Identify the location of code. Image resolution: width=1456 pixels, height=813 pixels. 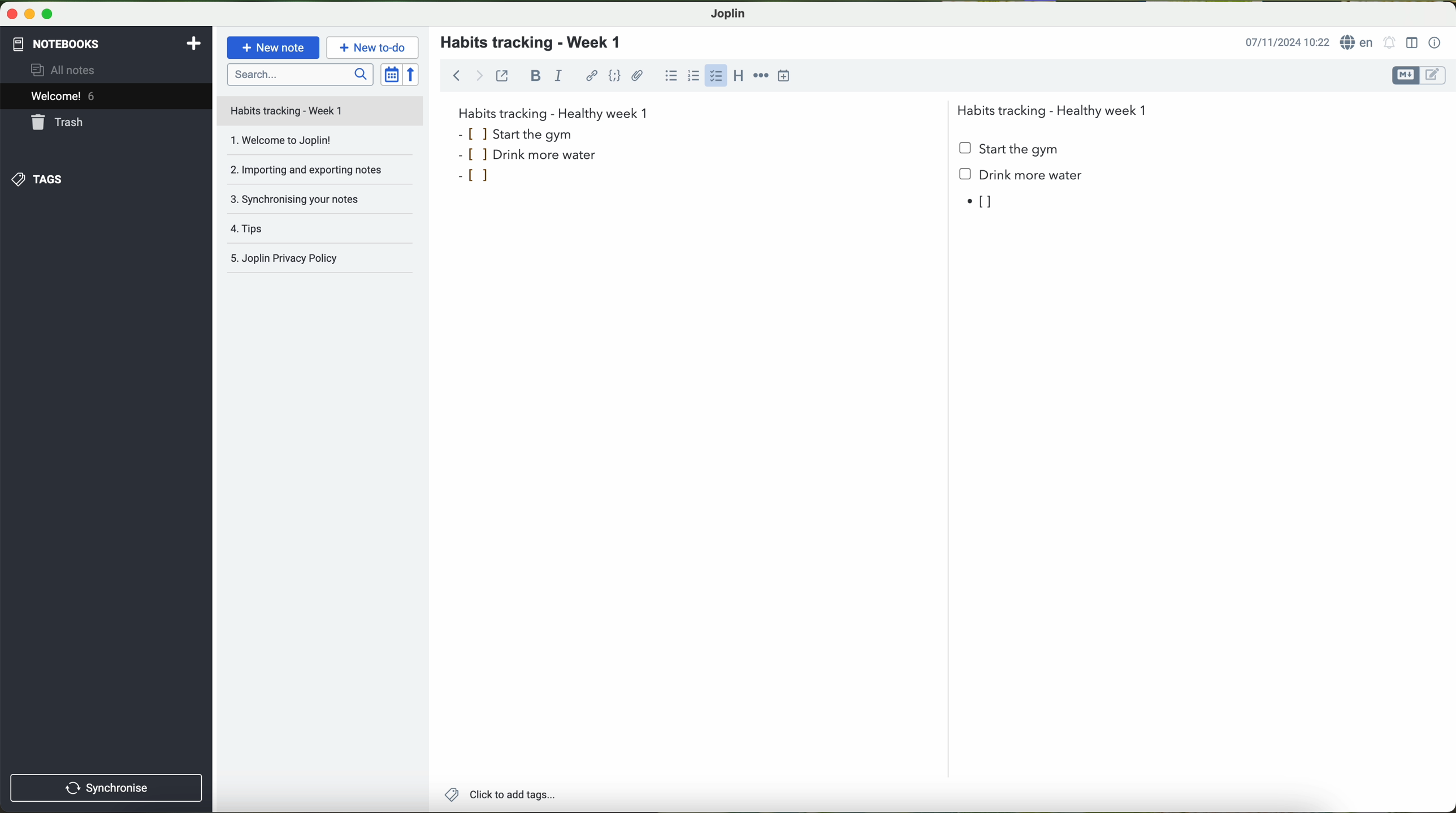
(616, 76).